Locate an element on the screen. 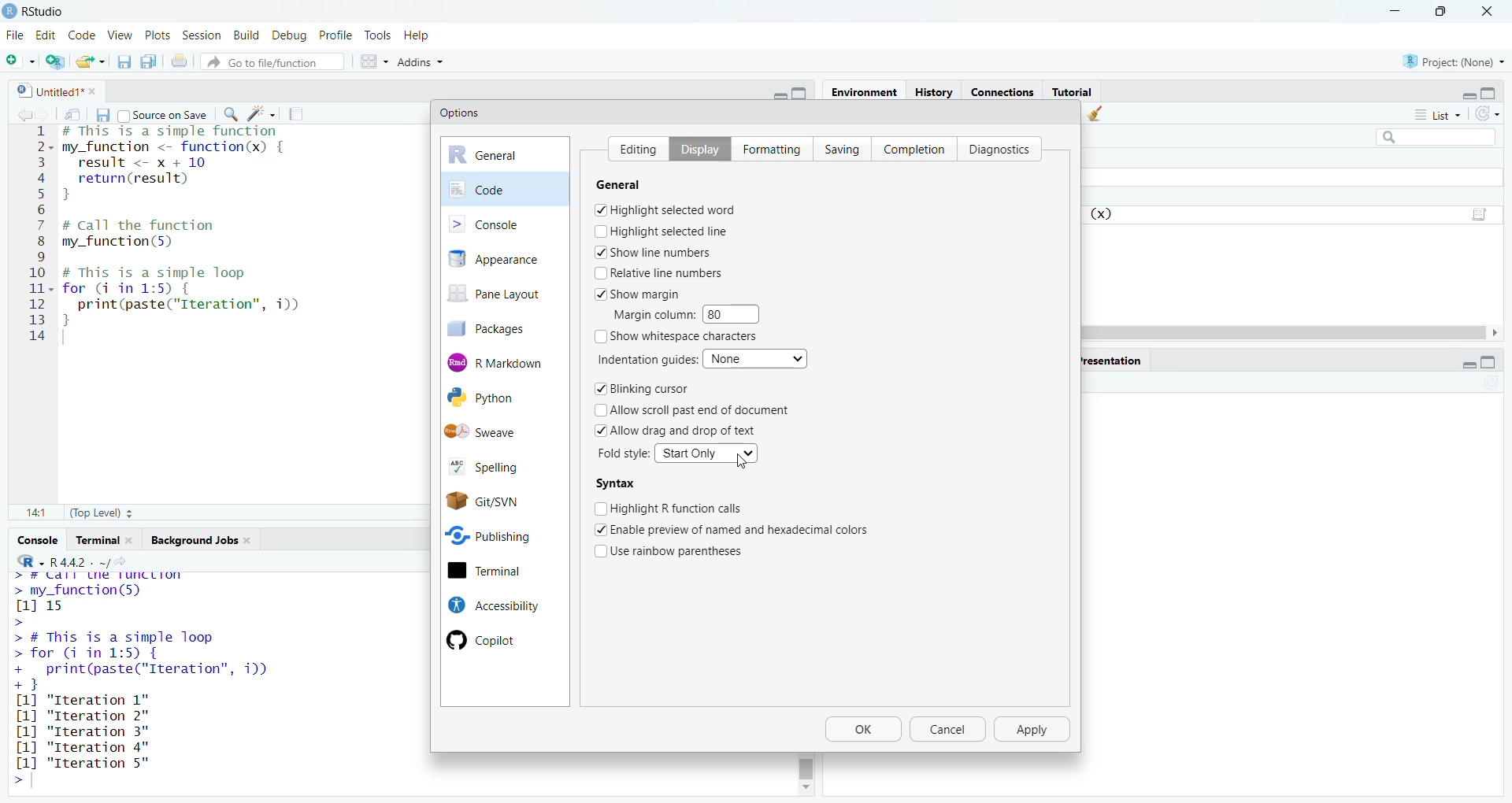 The image size is (1512, 803). 14:1 is located at coordinates (35, 514).